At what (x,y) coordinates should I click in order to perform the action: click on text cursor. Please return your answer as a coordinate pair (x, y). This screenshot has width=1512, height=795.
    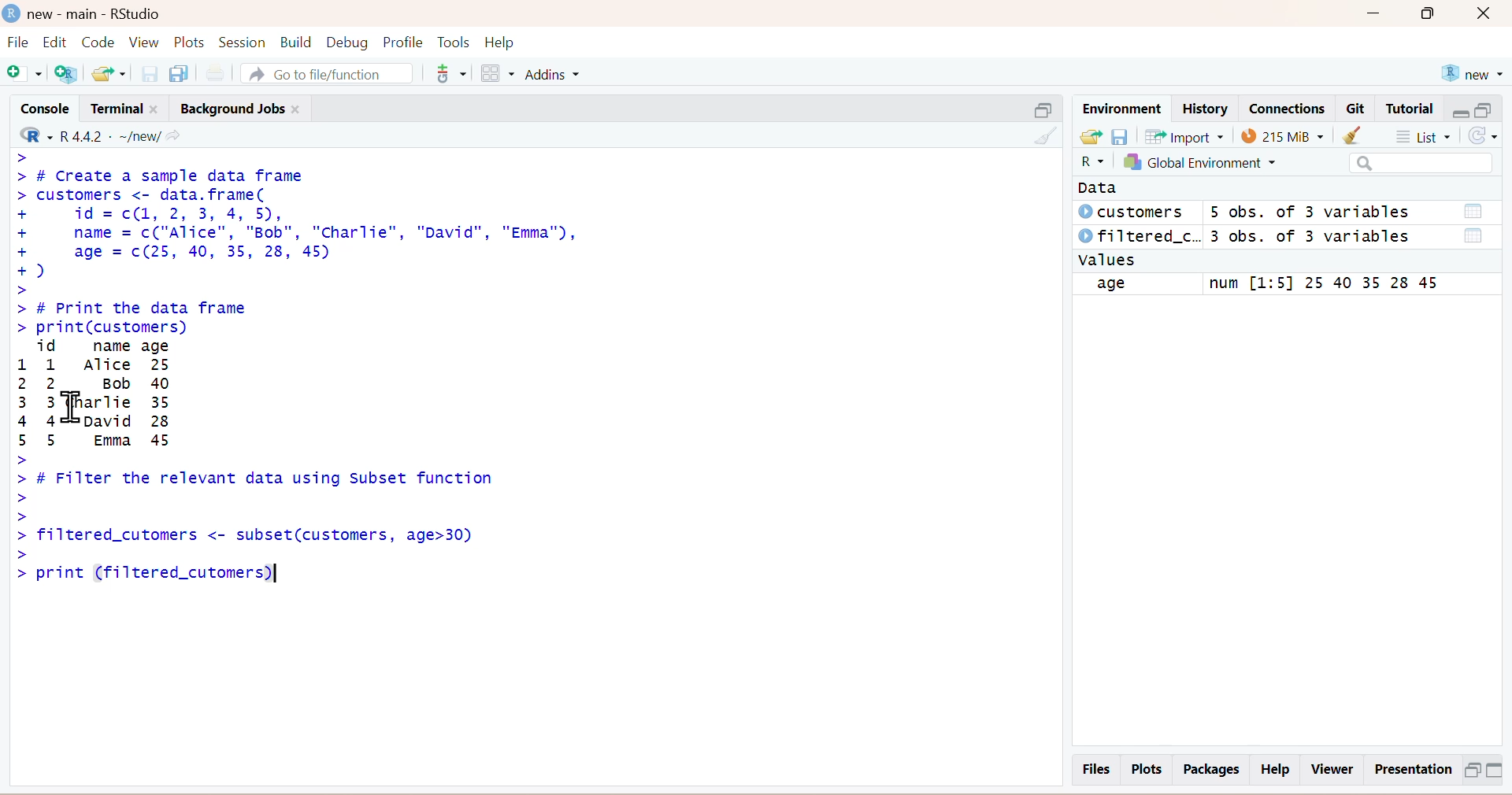
    Looking at the image, I should click on (69, 405).